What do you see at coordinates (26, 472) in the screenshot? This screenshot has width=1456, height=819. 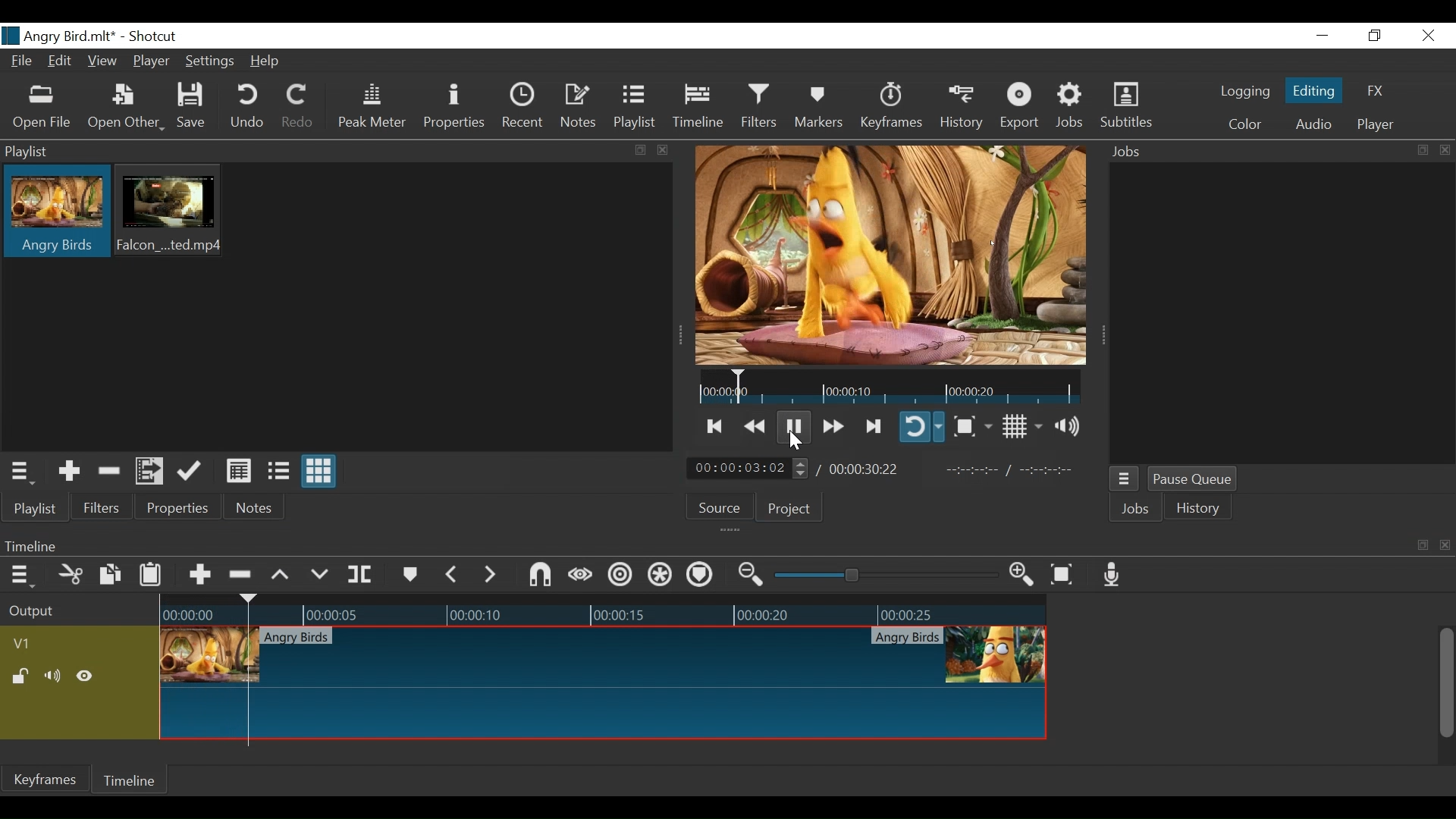 I see `Playlist Menu` at bounding box center [26, 472].